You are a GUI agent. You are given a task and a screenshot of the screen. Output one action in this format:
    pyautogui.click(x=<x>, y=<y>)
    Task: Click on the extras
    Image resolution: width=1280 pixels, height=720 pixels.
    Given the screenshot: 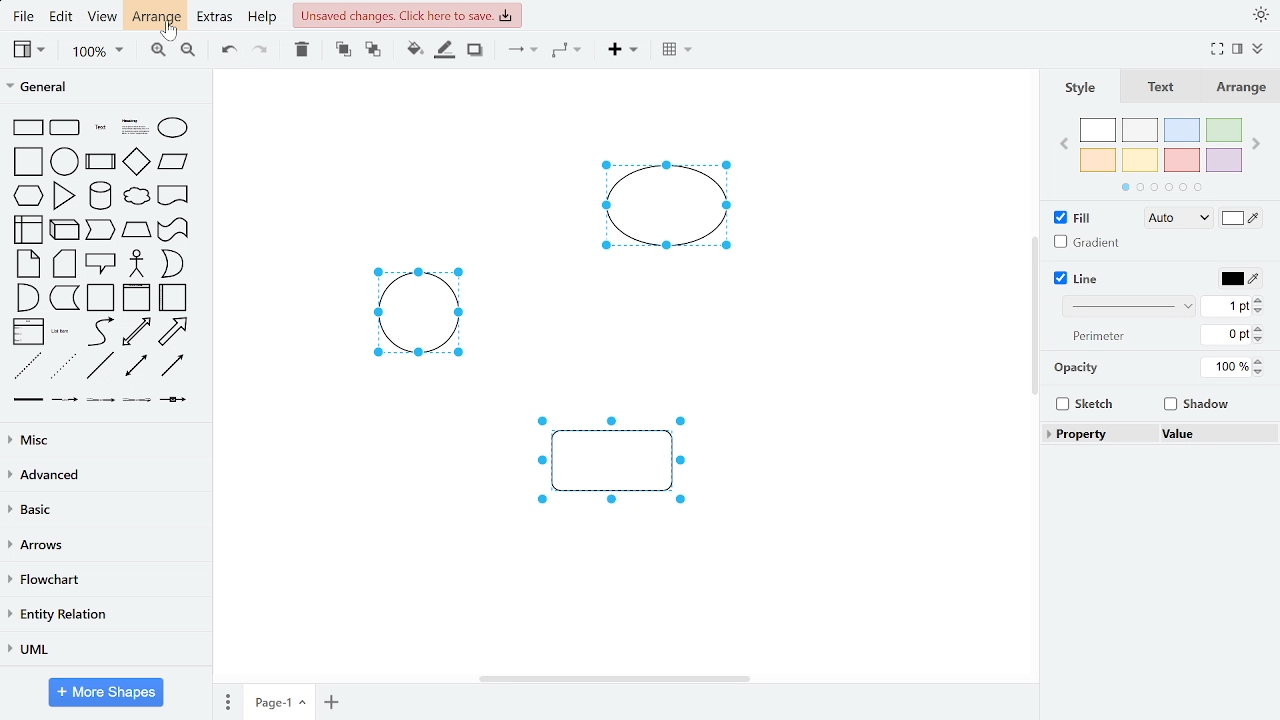 What is the action you would take?
    pyautogui.click(x=216, y=19)
    